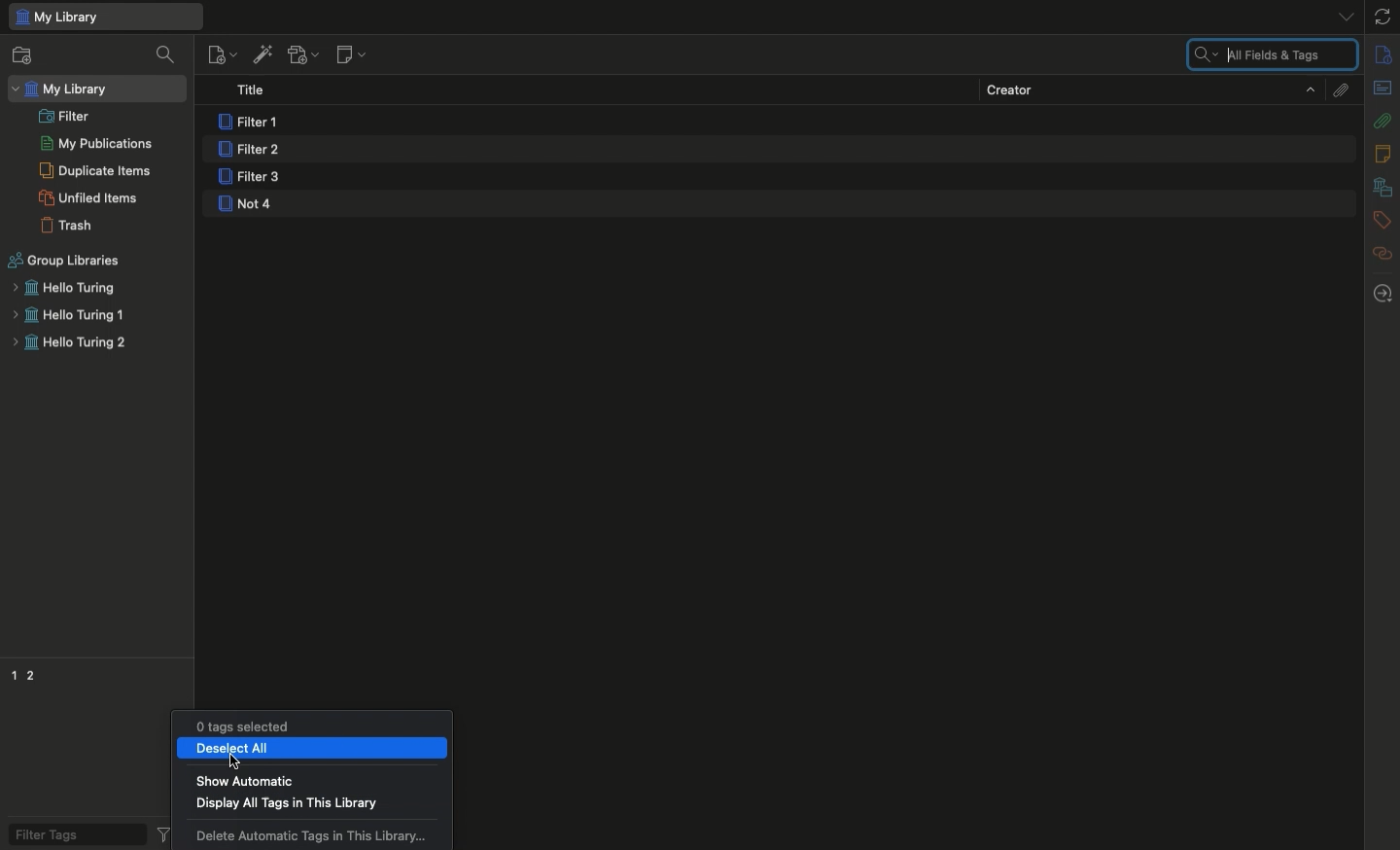 The height and width of the screenshot is (850, 1400). I want to click on Trash, so click(67, 226).